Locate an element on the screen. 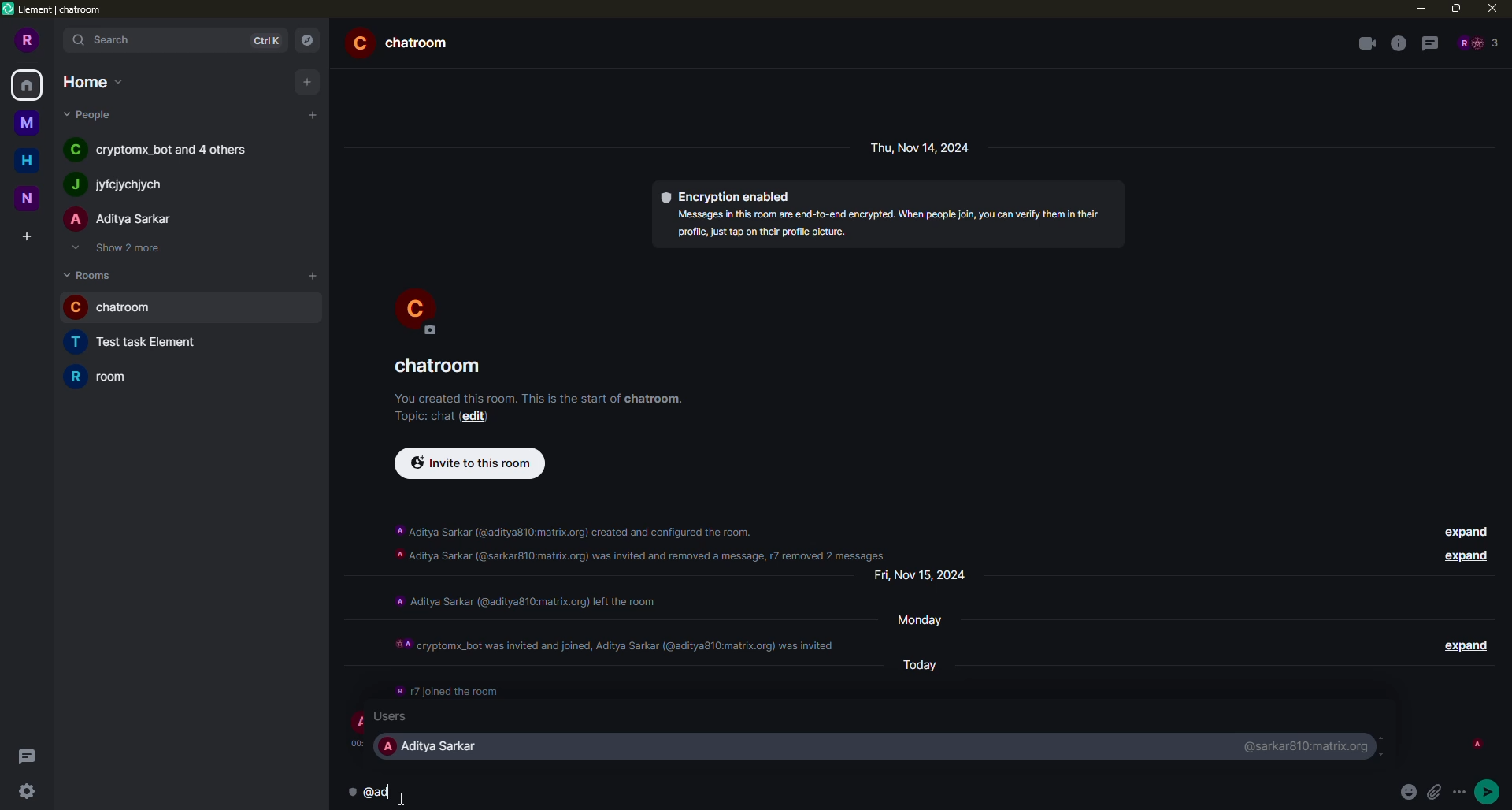 This screenshot has height=810, width=1512. people is located at coordinates (1477, 43).